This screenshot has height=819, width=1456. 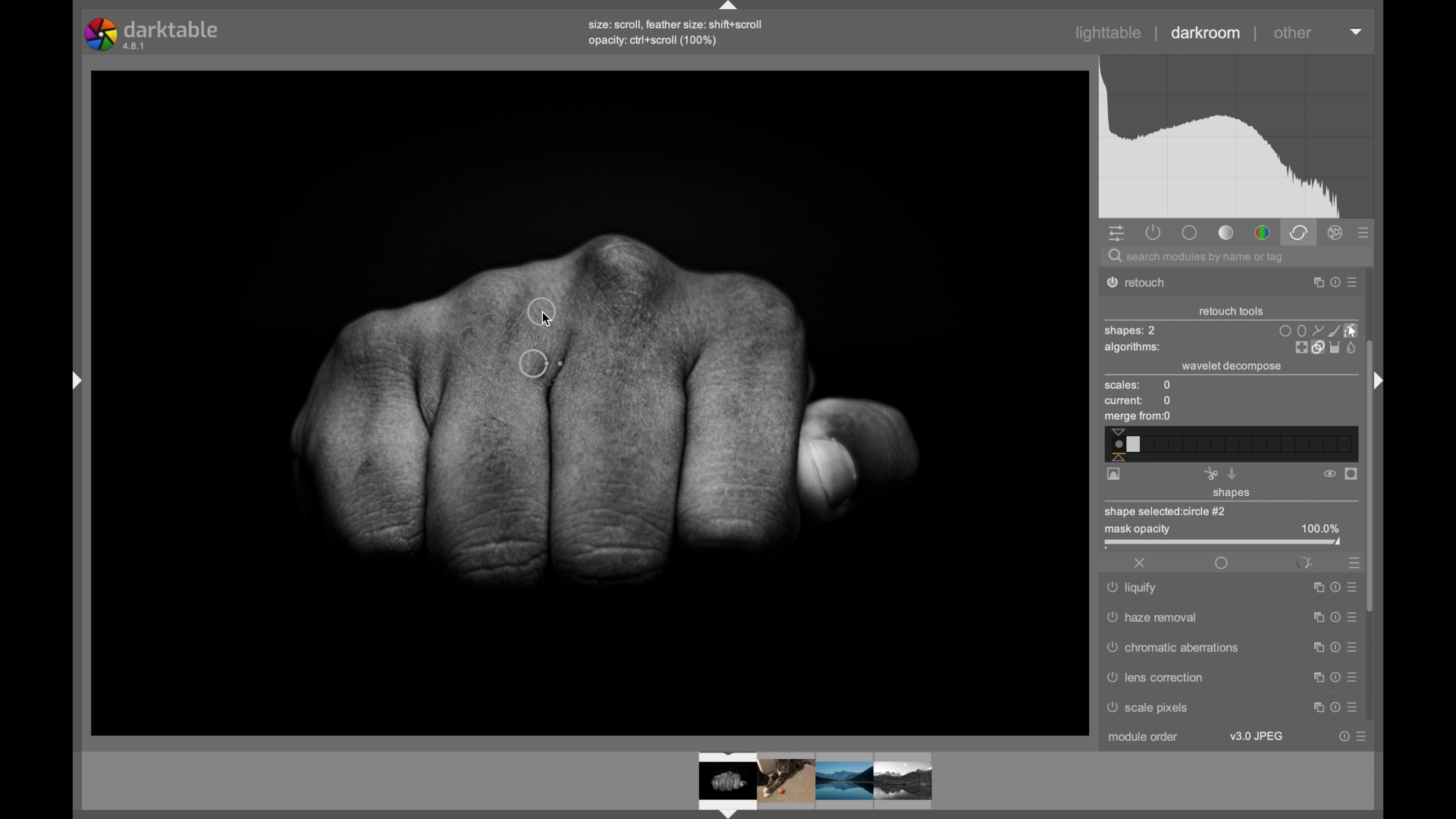 What do you see at coordinates (1138, 386) in the screenshot?
I see `scales: 0` at bounding box center [1138, 386].